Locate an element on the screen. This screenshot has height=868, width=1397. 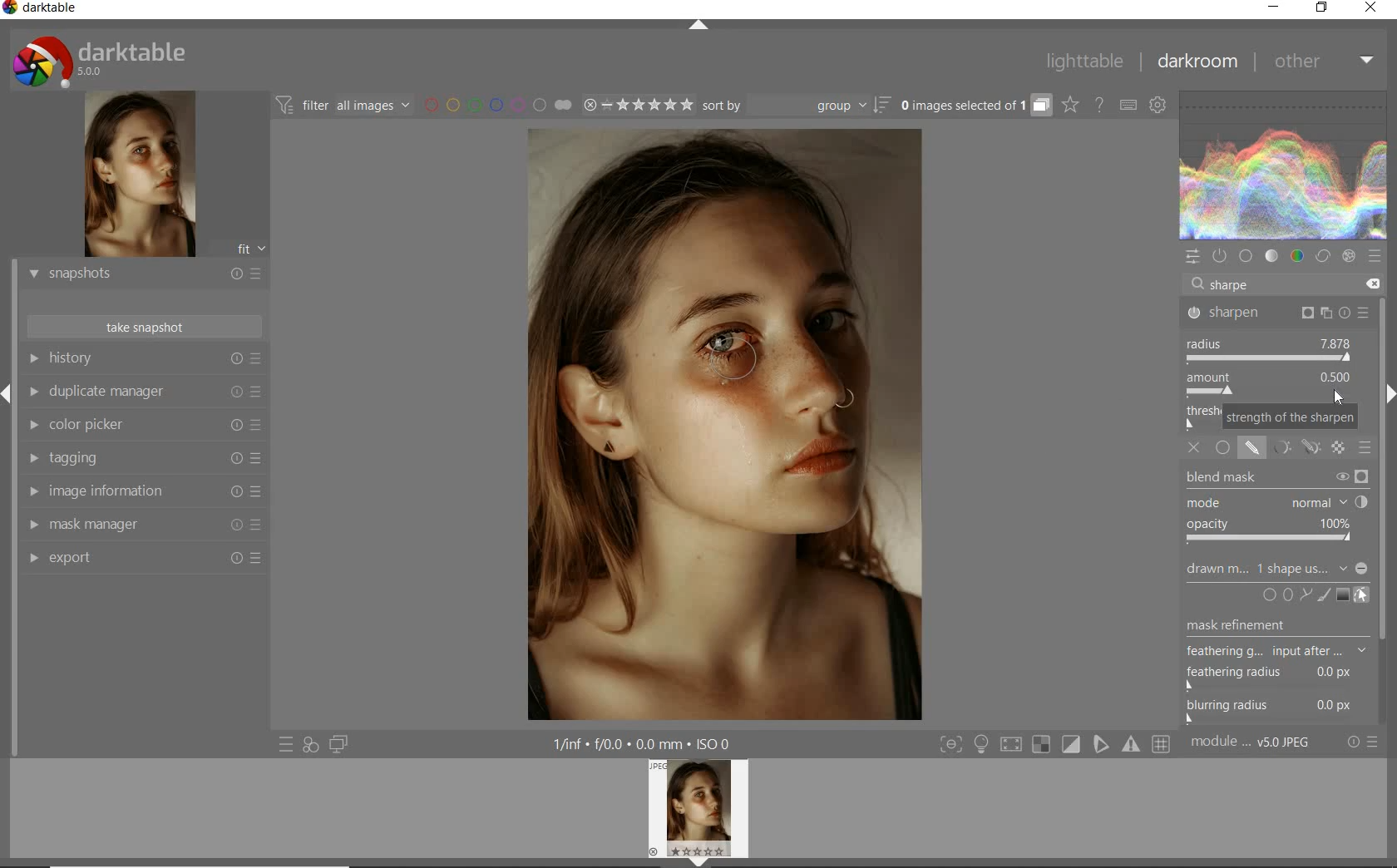
lighttable is located at coordinates (1085, 62).